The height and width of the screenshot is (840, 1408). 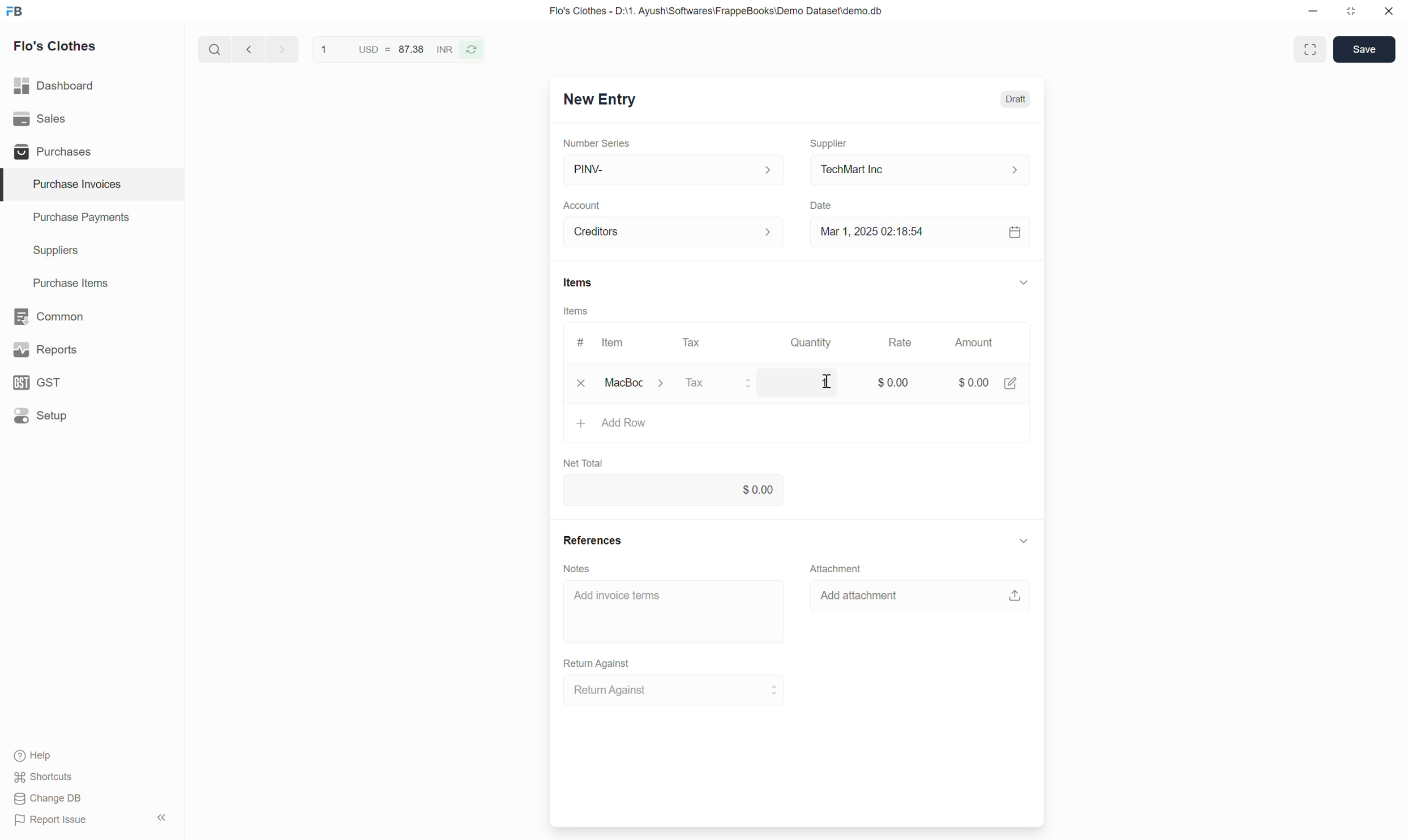 What do you see at coordinates (92, 119) in the screenshot?
I see `Sales` at bounding box center [92, 119].